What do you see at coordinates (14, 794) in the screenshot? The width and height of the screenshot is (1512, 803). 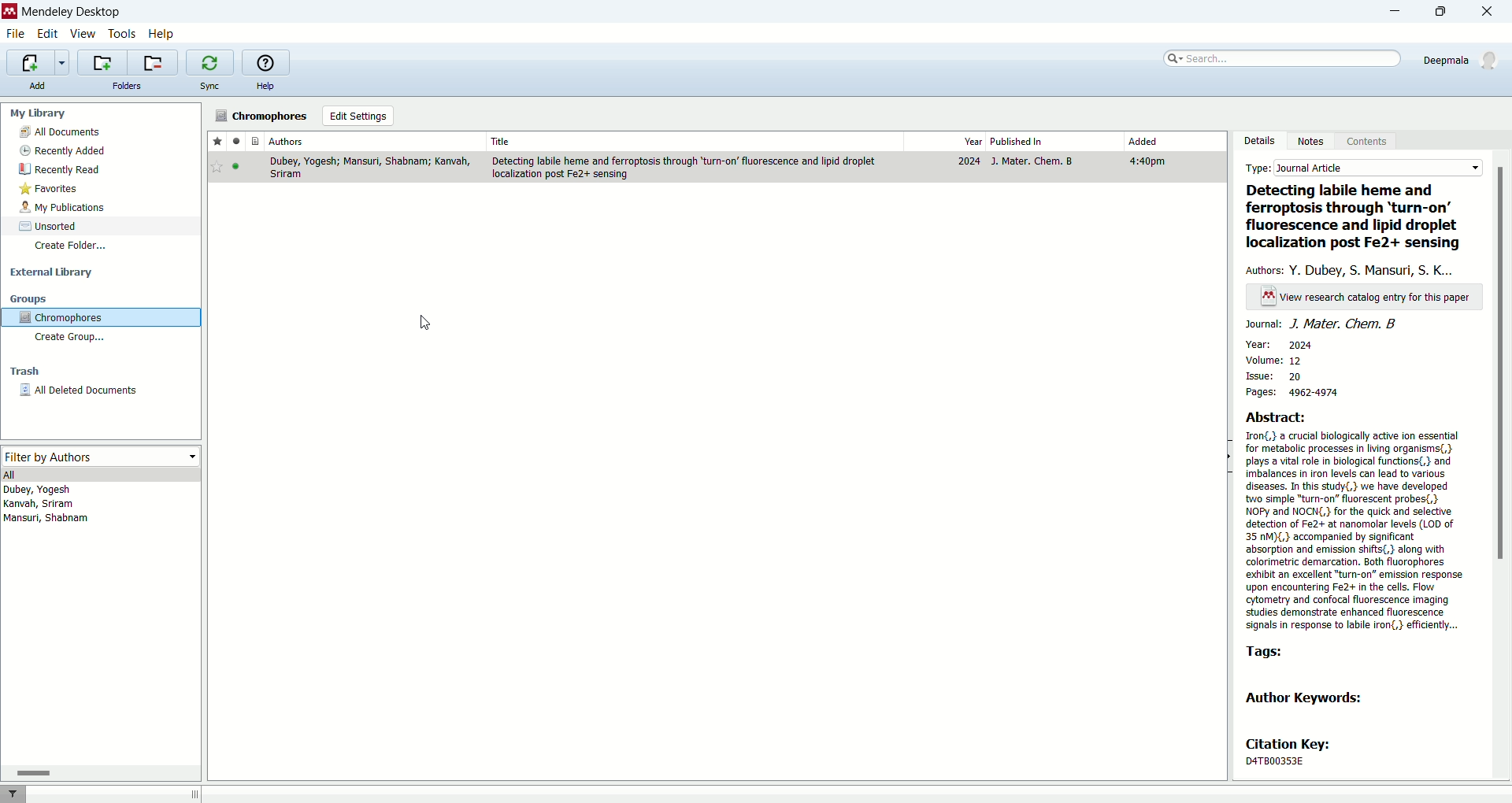 I see `filter` at bounding box center [14, 794].